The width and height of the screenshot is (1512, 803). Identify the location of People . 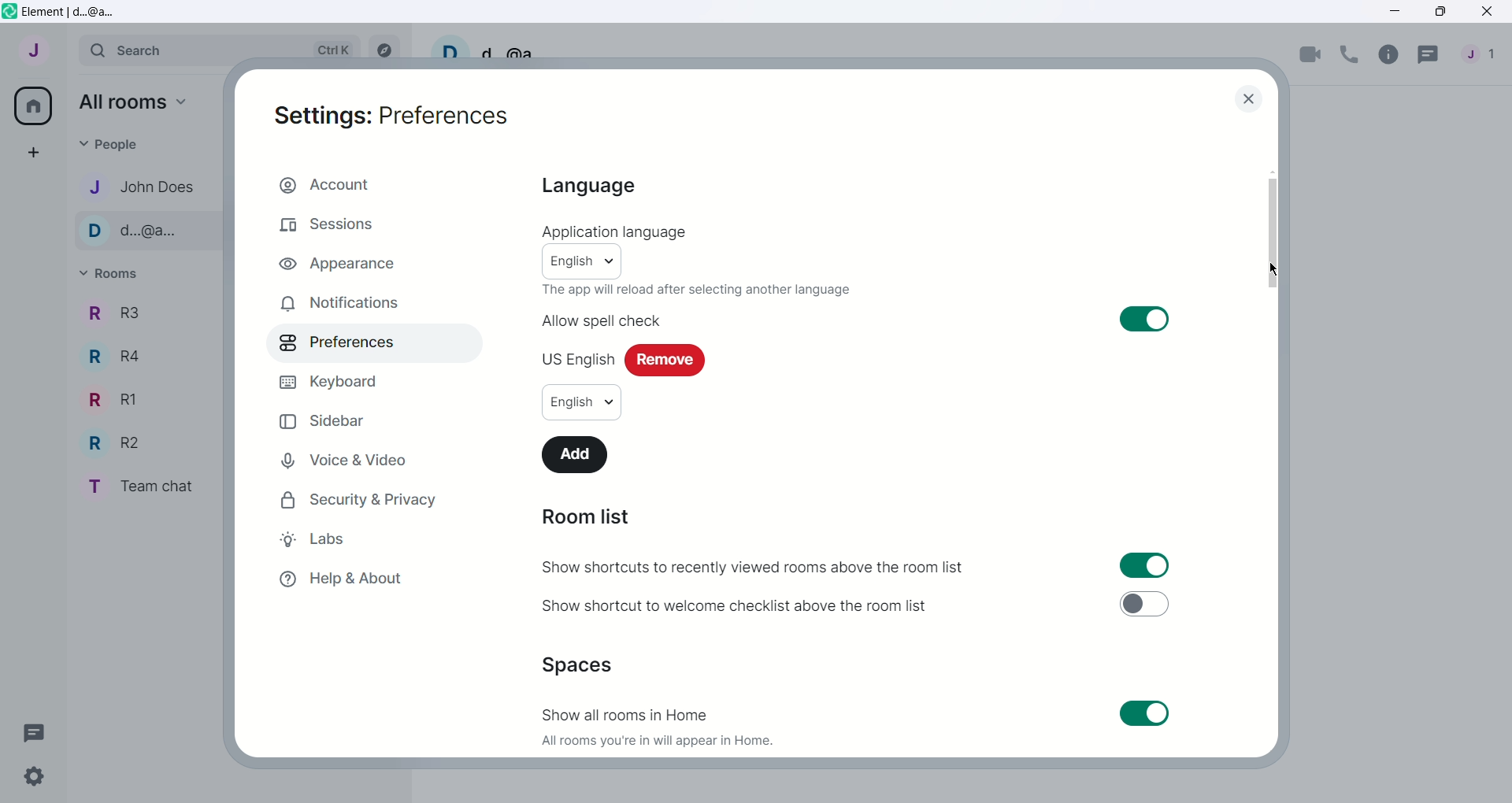
(113, 146).